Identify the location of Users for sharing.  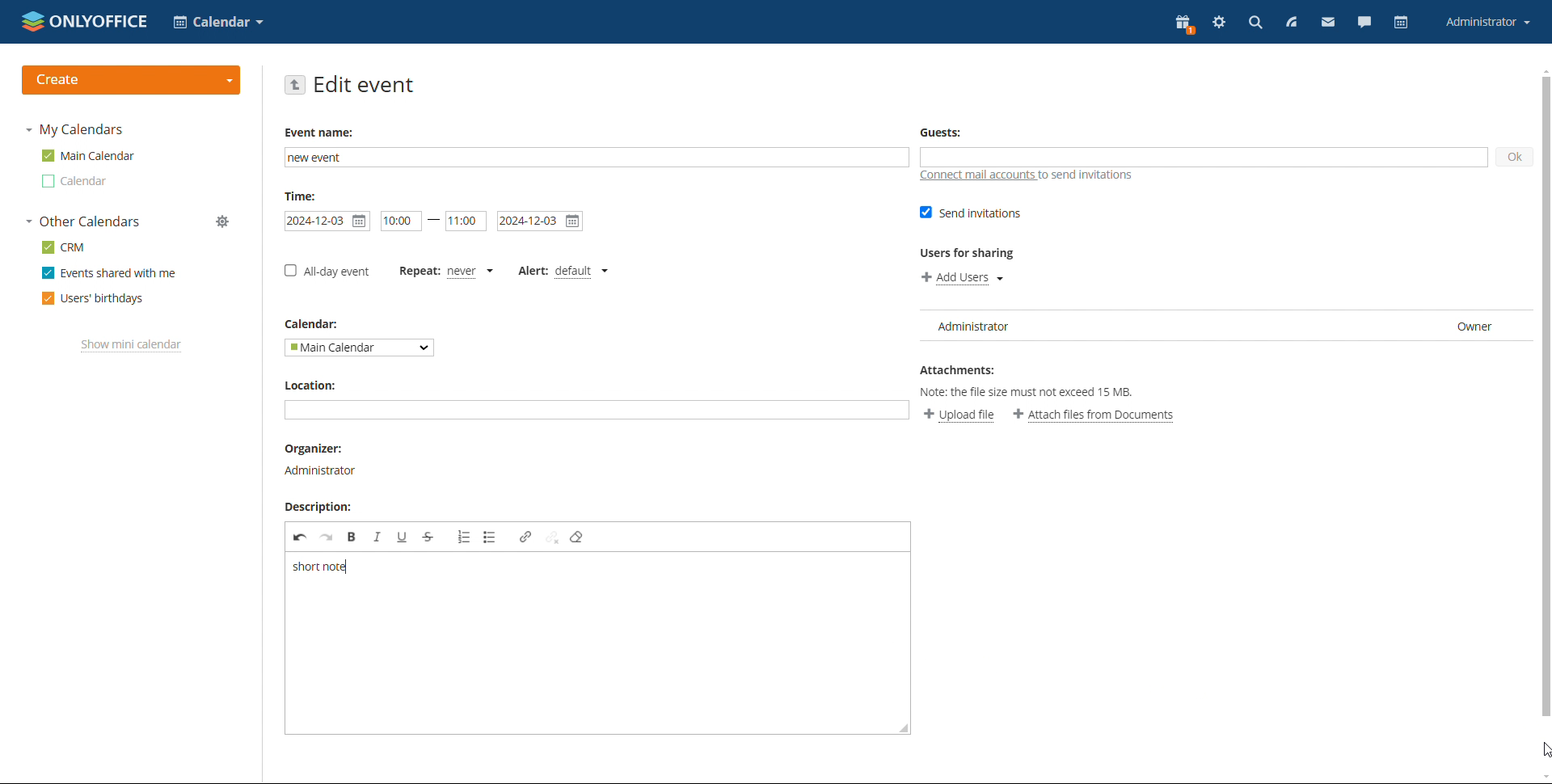
(970, 253).